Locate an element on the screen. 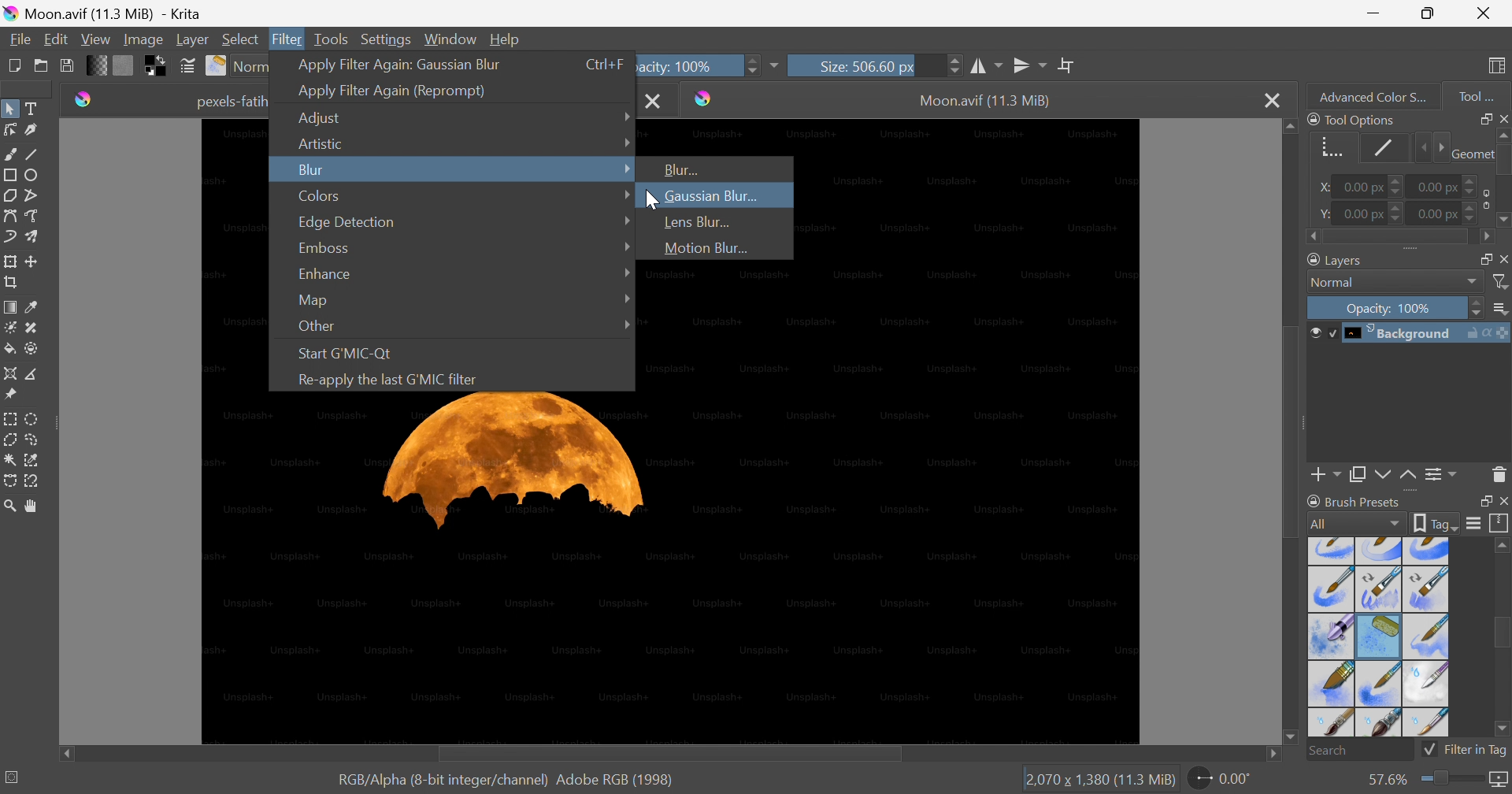  Contiguous selection tool is located at coordinates (10, 461).